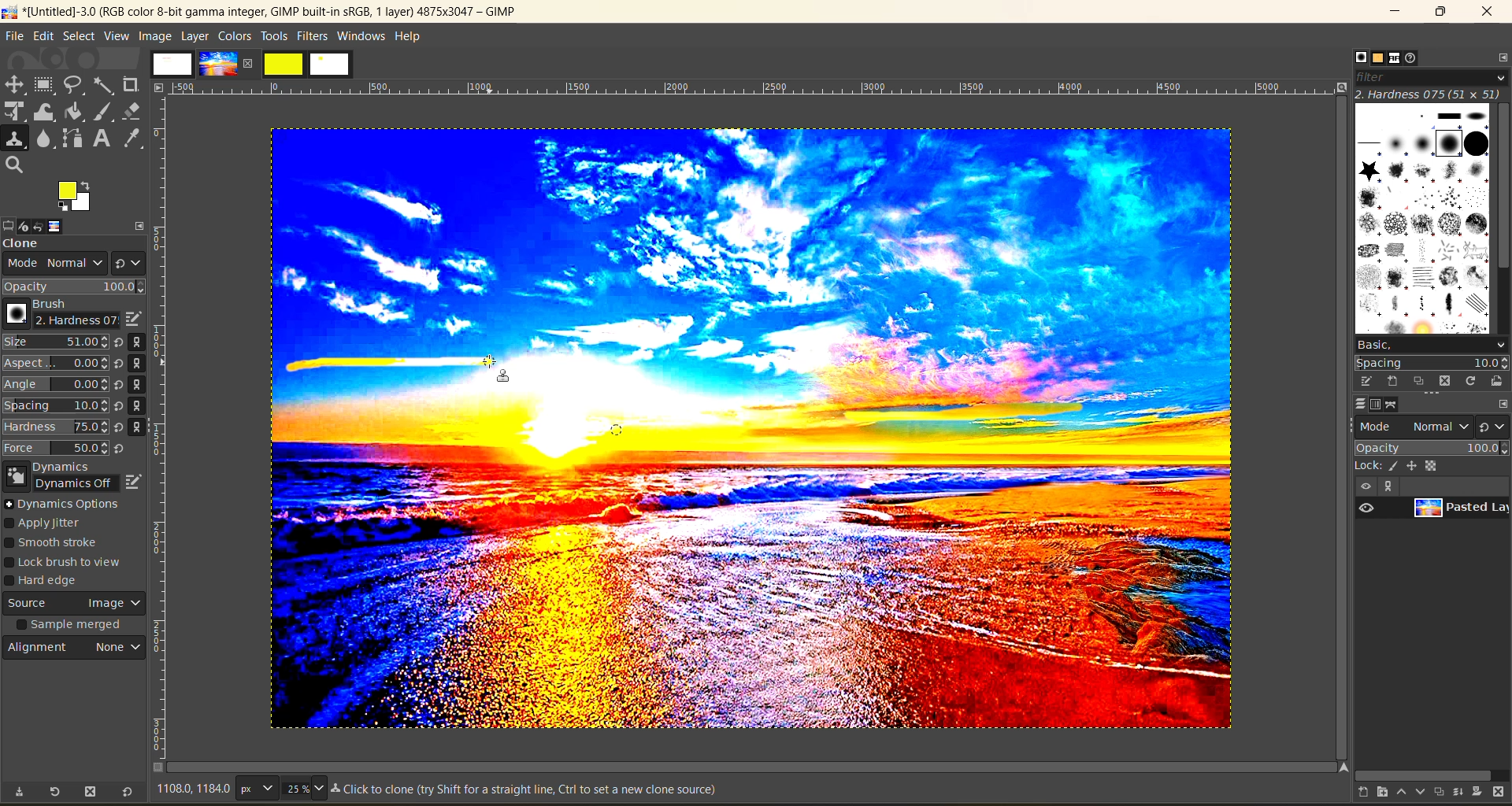 The height and width of the screenshot is (806, 1512). Describe the element at coordinates (1479, 793) in the screenshot. I see `add a mask` at that location.